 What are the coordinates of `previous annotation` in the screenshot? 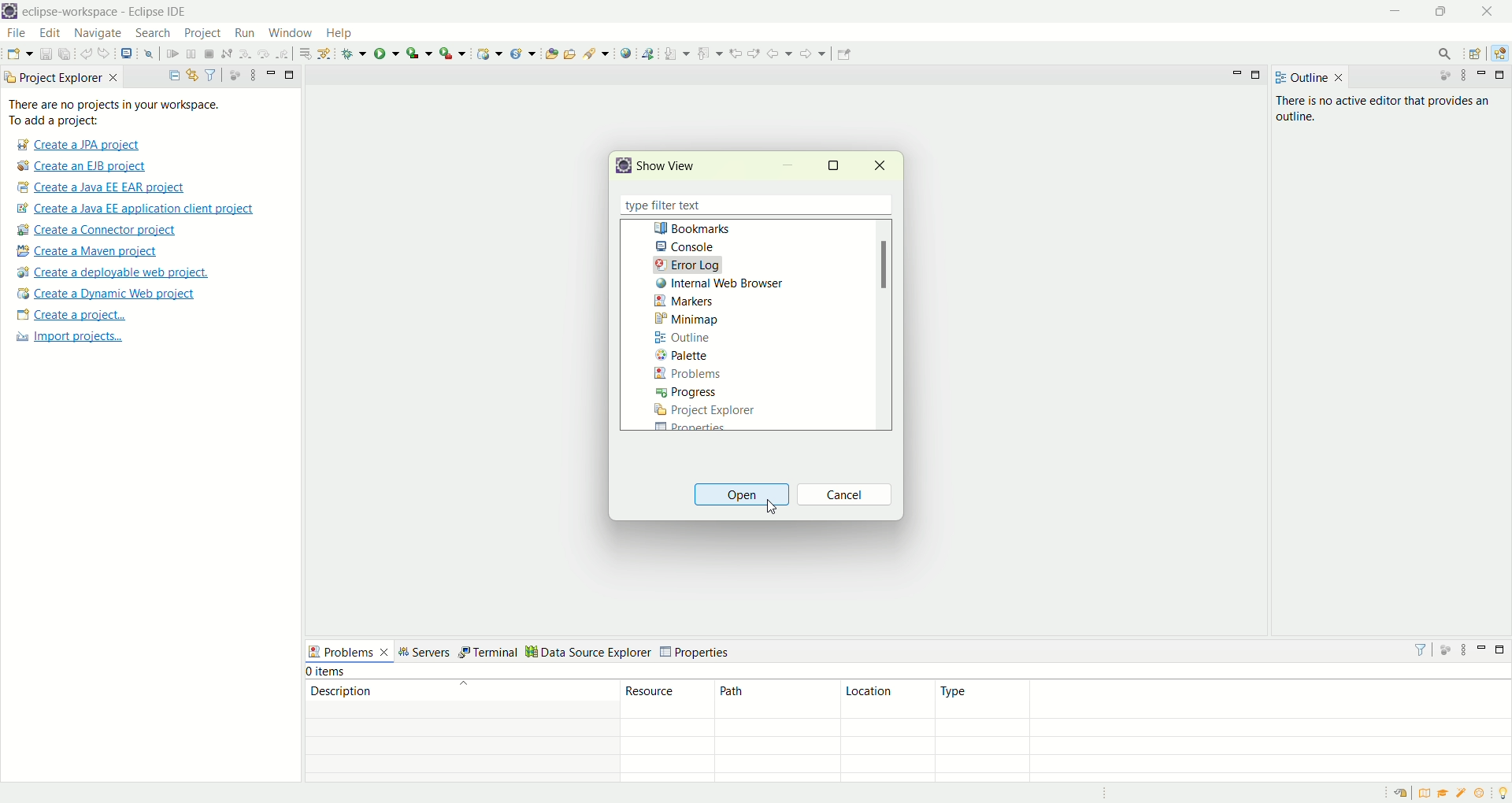 It's located at (708, 52).